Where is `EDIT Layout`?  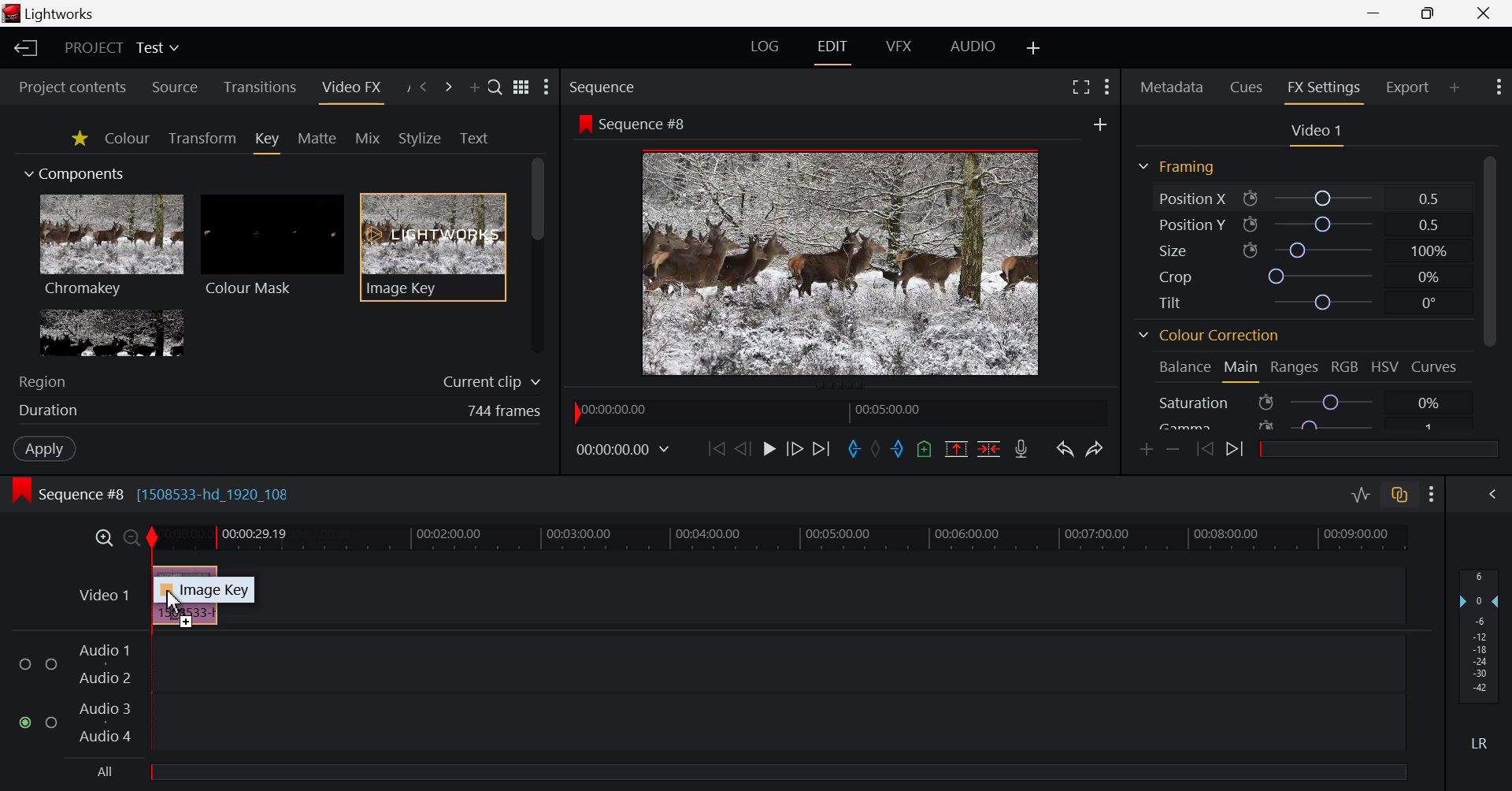 EDIT Layout is located at coordinates (832, 50).